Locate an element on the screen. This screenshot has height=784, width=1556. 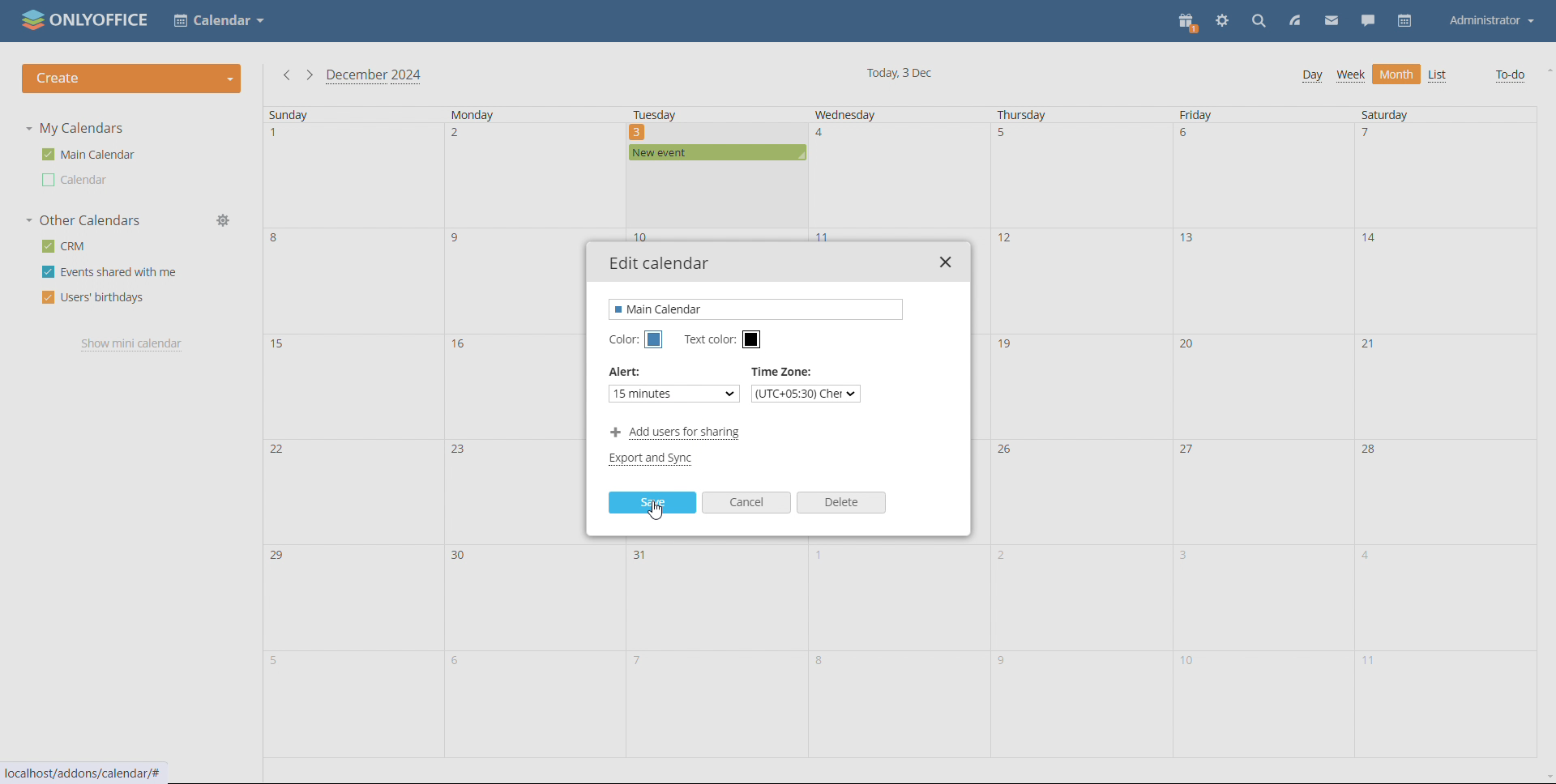
Alert is located at coordinates (626, 375).